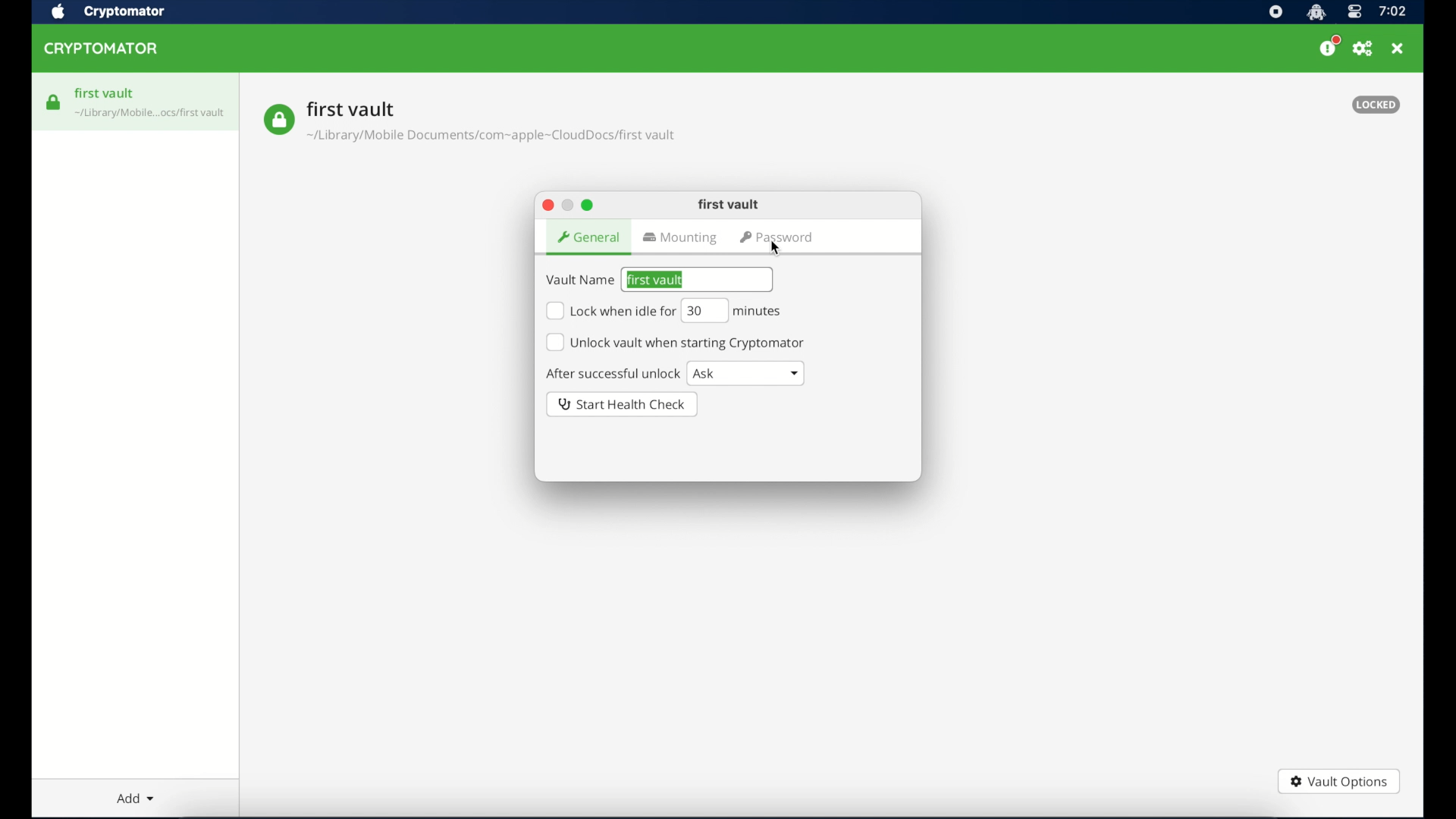  What do you see at coordinates (1329, 46) in the screenshot?
I see `please consider donating` at bounding box center [1329, 46].